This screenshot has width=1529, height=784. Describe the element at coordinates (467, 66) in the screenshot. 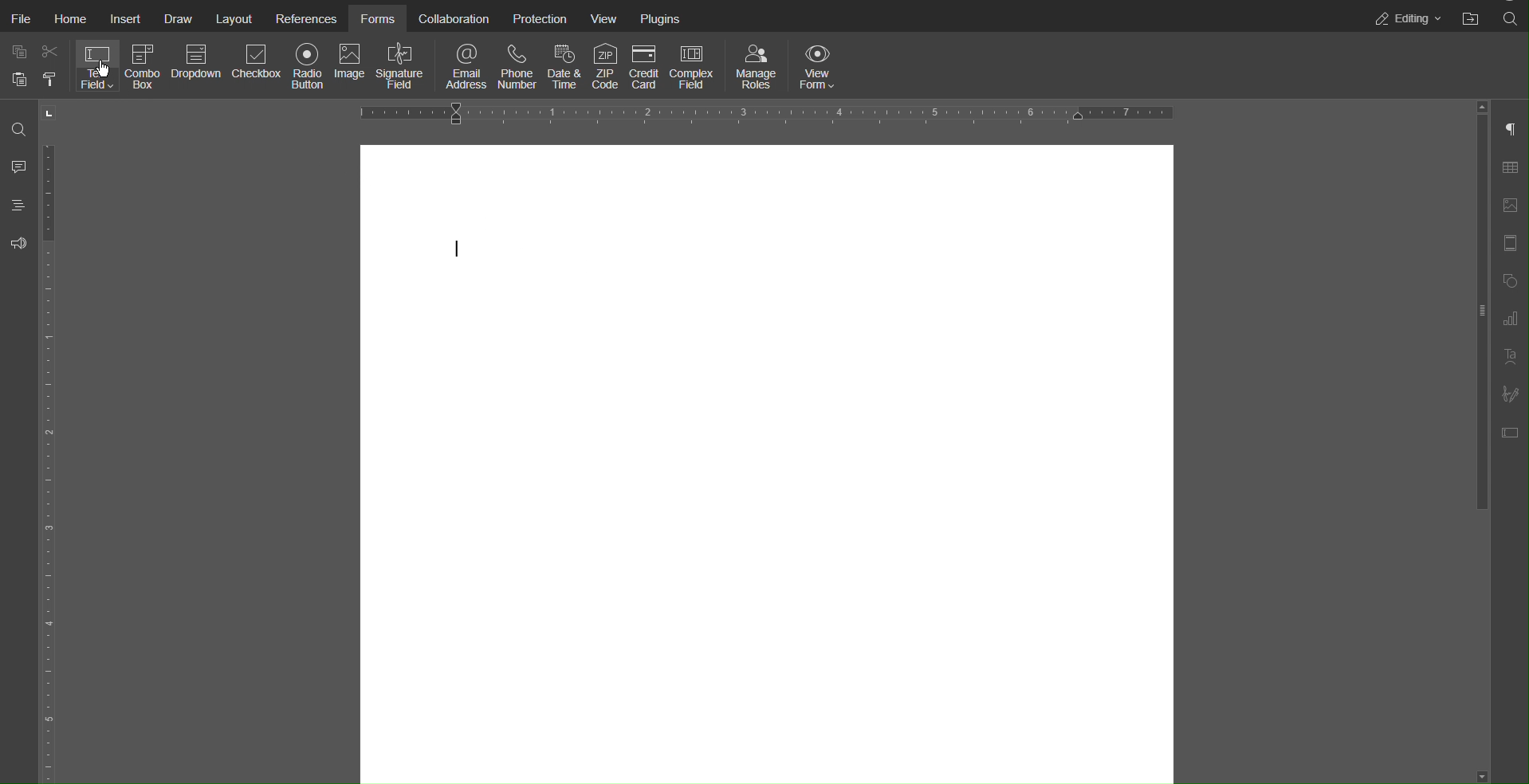

I see `Email Address` at that location.